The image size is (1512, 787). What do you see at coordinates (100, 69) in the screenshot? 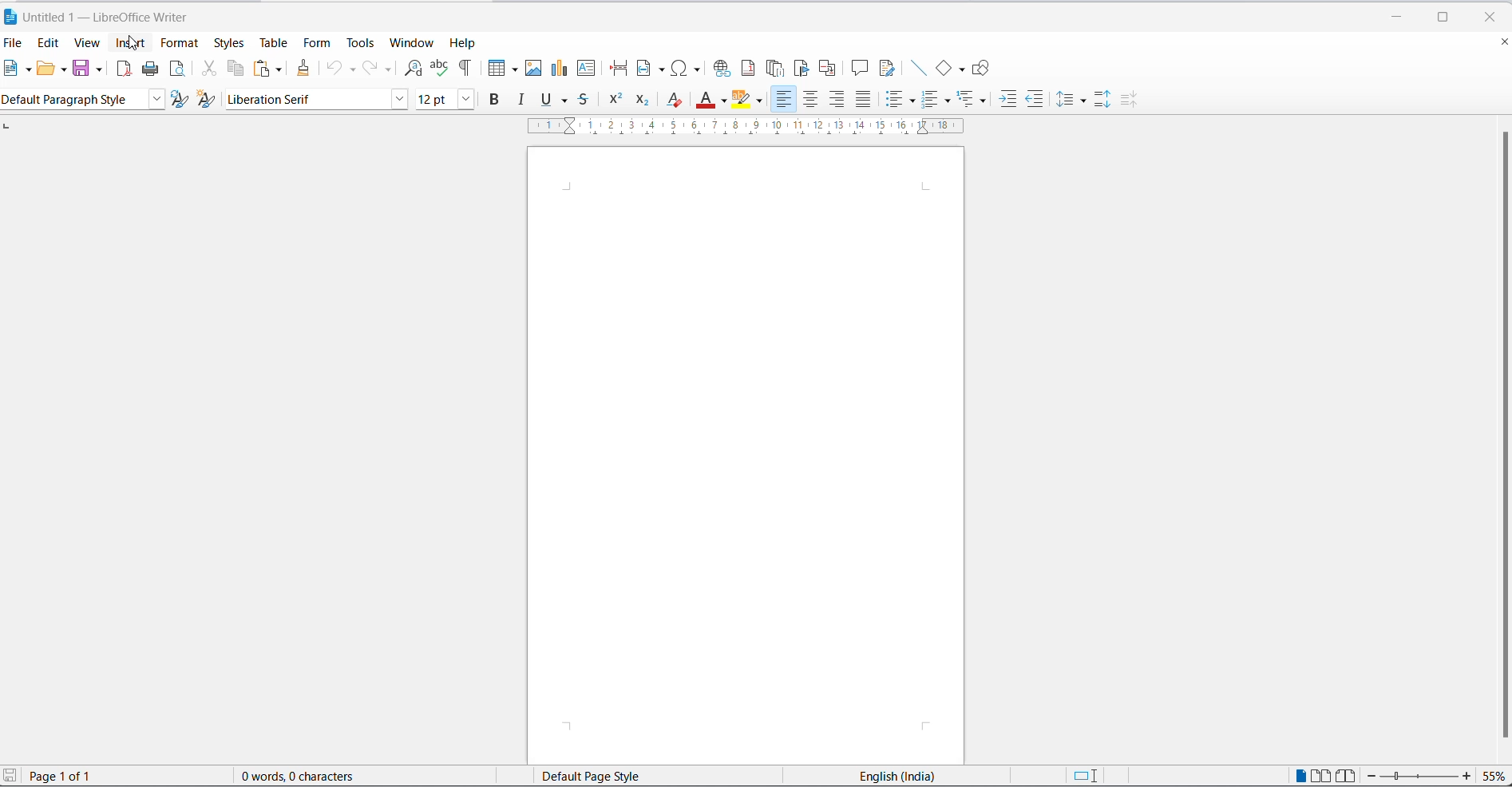
I see `save options` at bounding box center [100, 69].